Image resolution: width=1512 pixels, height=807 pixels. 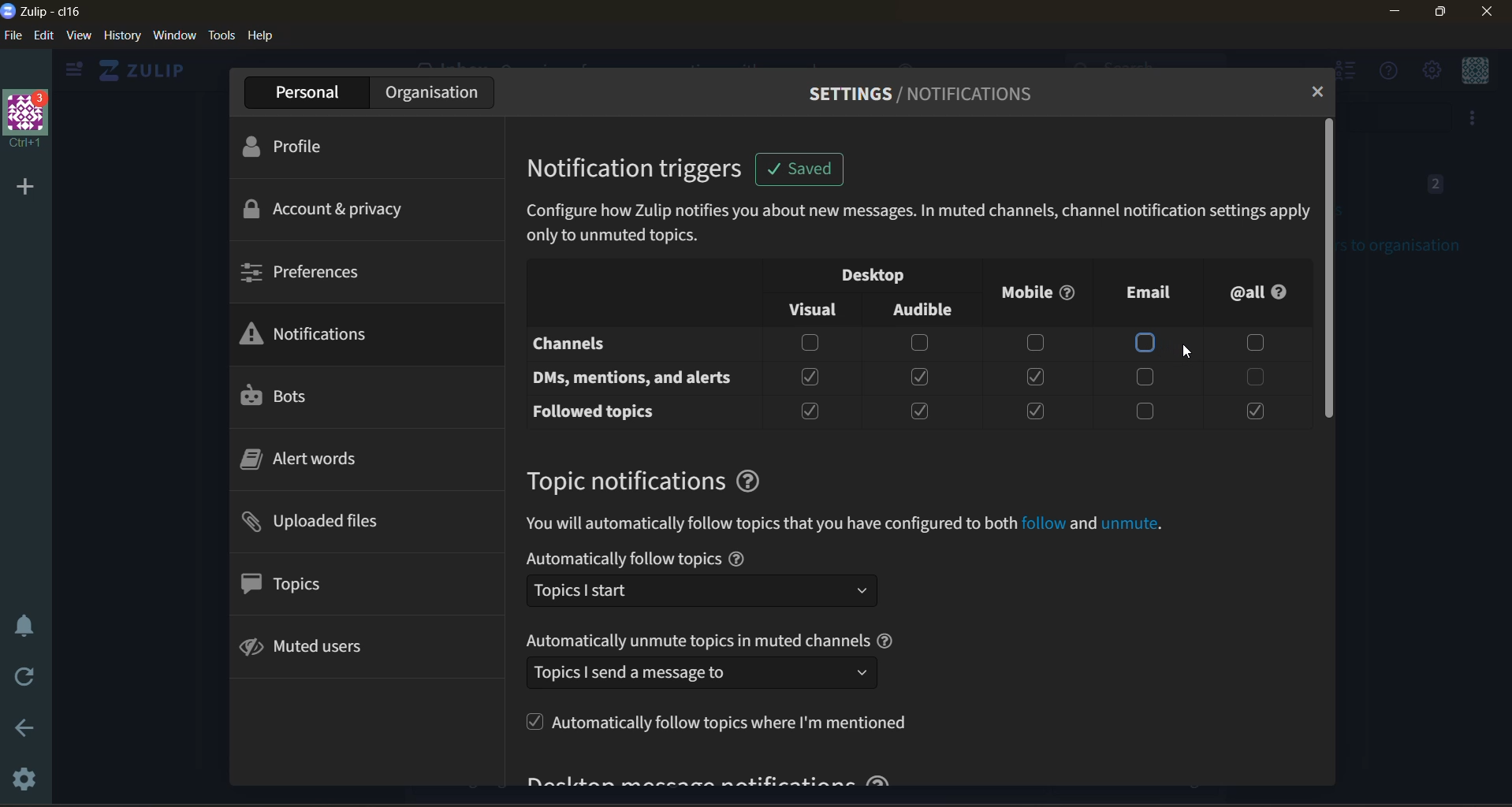 I want to click on select how to automatically unmute, so click(x=701, y=672).